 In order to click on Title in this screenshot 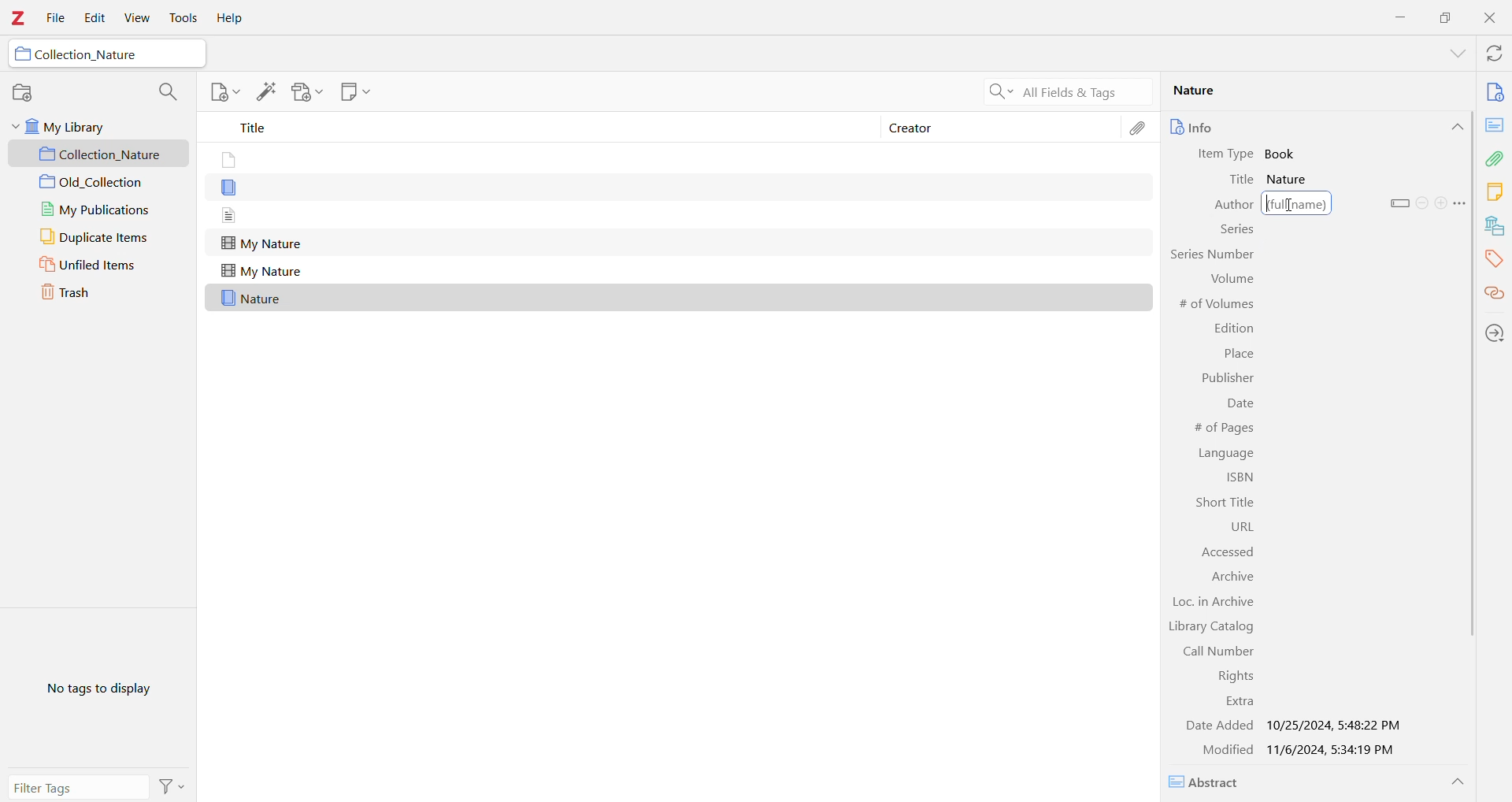, I will do `click(1243, 180)`.